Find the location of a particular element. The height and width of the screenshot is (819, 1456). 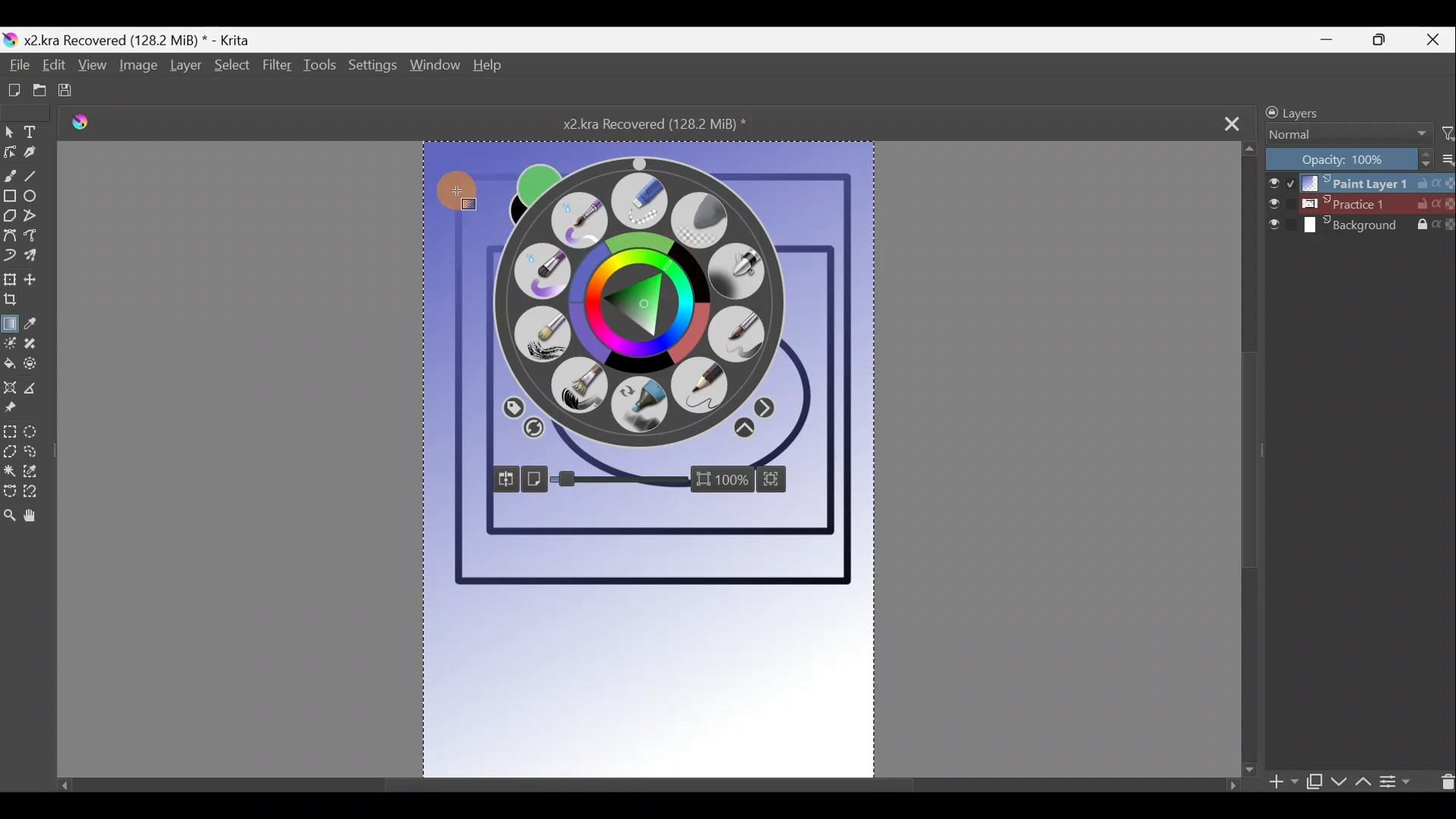

Filter is located at coordinates (277, 73).